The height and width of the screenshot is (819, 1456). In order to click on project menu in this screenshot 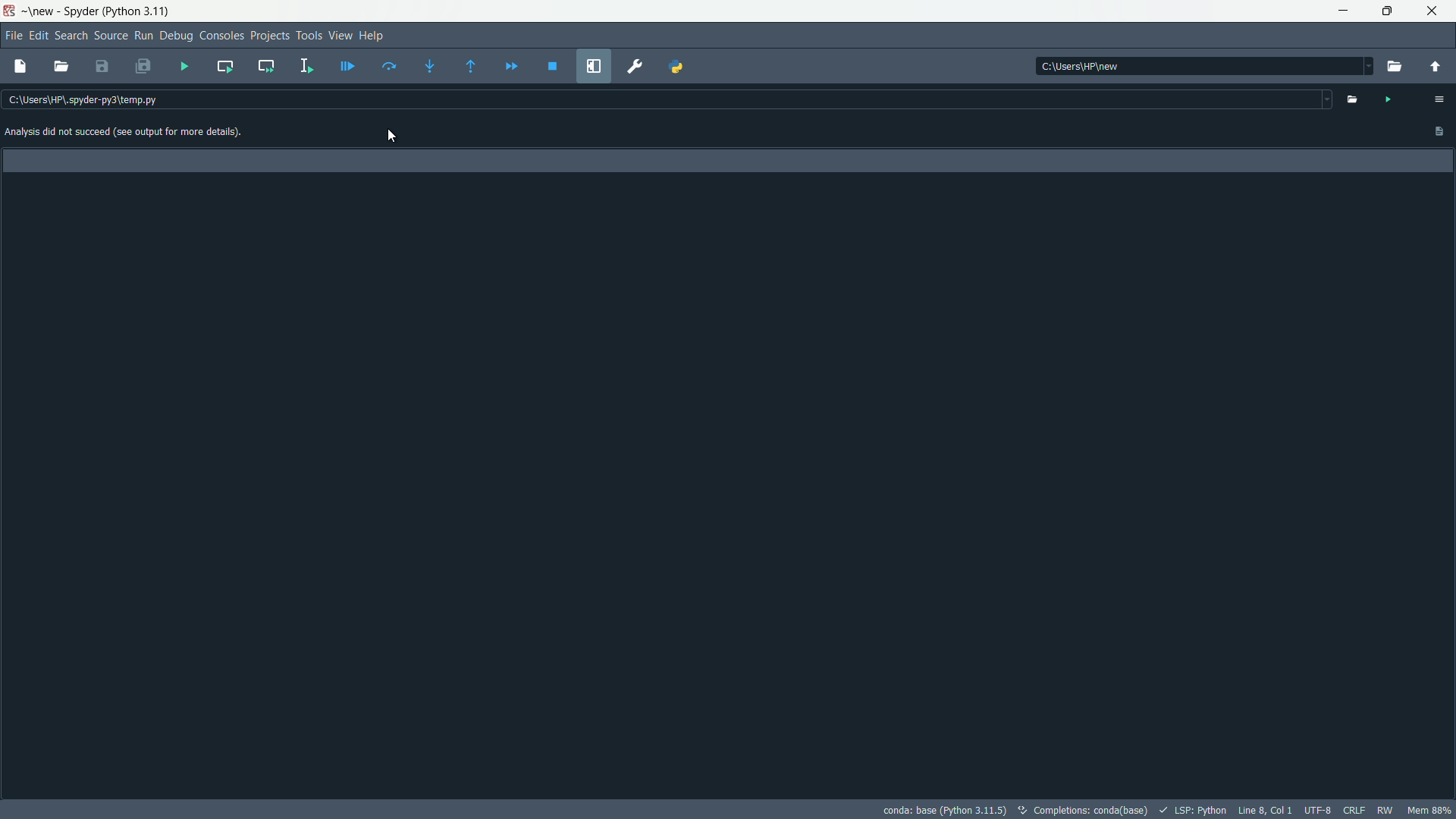, I will do `click(271, 36)`.